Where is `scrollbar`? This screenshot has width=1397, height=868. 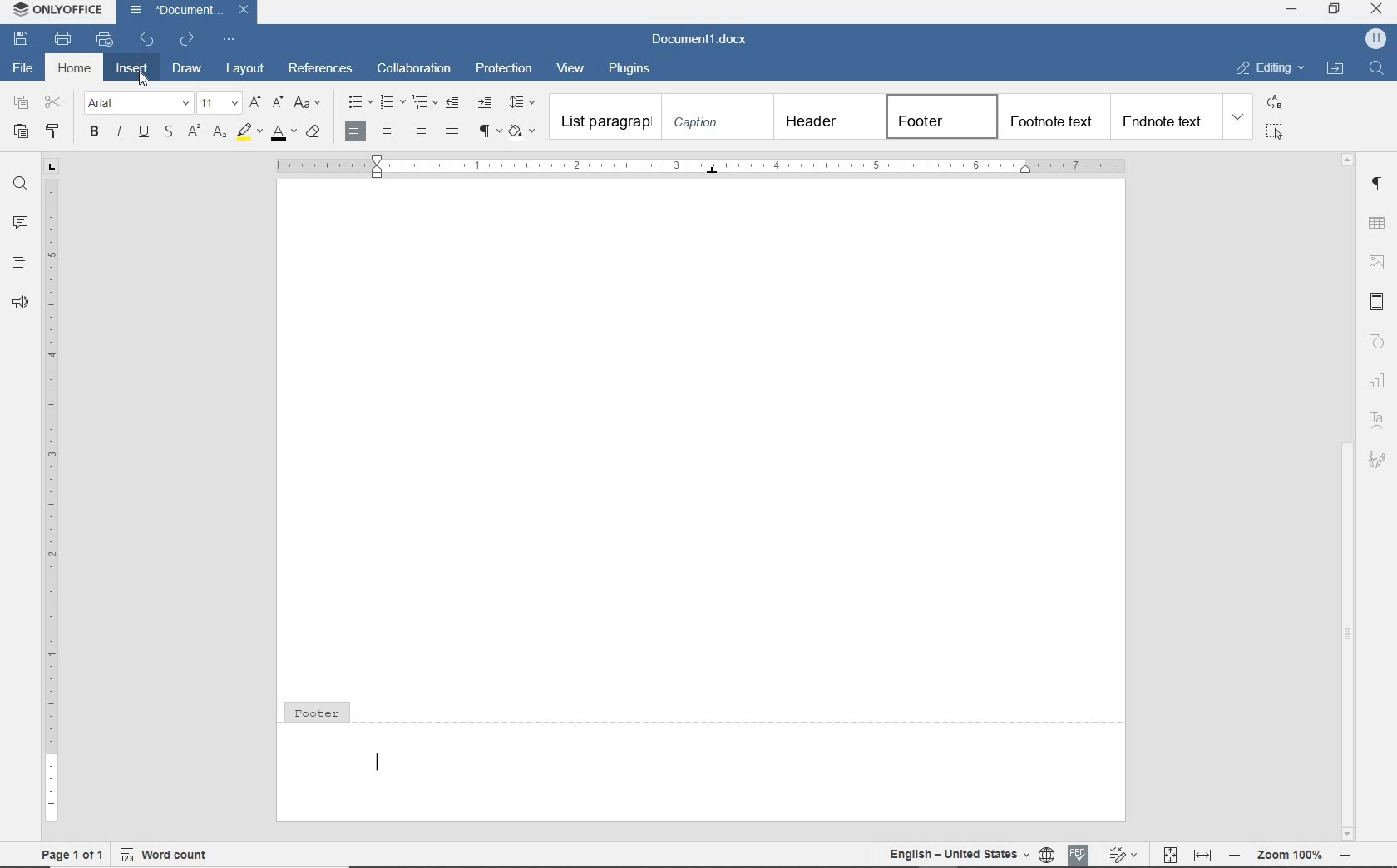
scrollbar is located at coordinates (1348, 496).